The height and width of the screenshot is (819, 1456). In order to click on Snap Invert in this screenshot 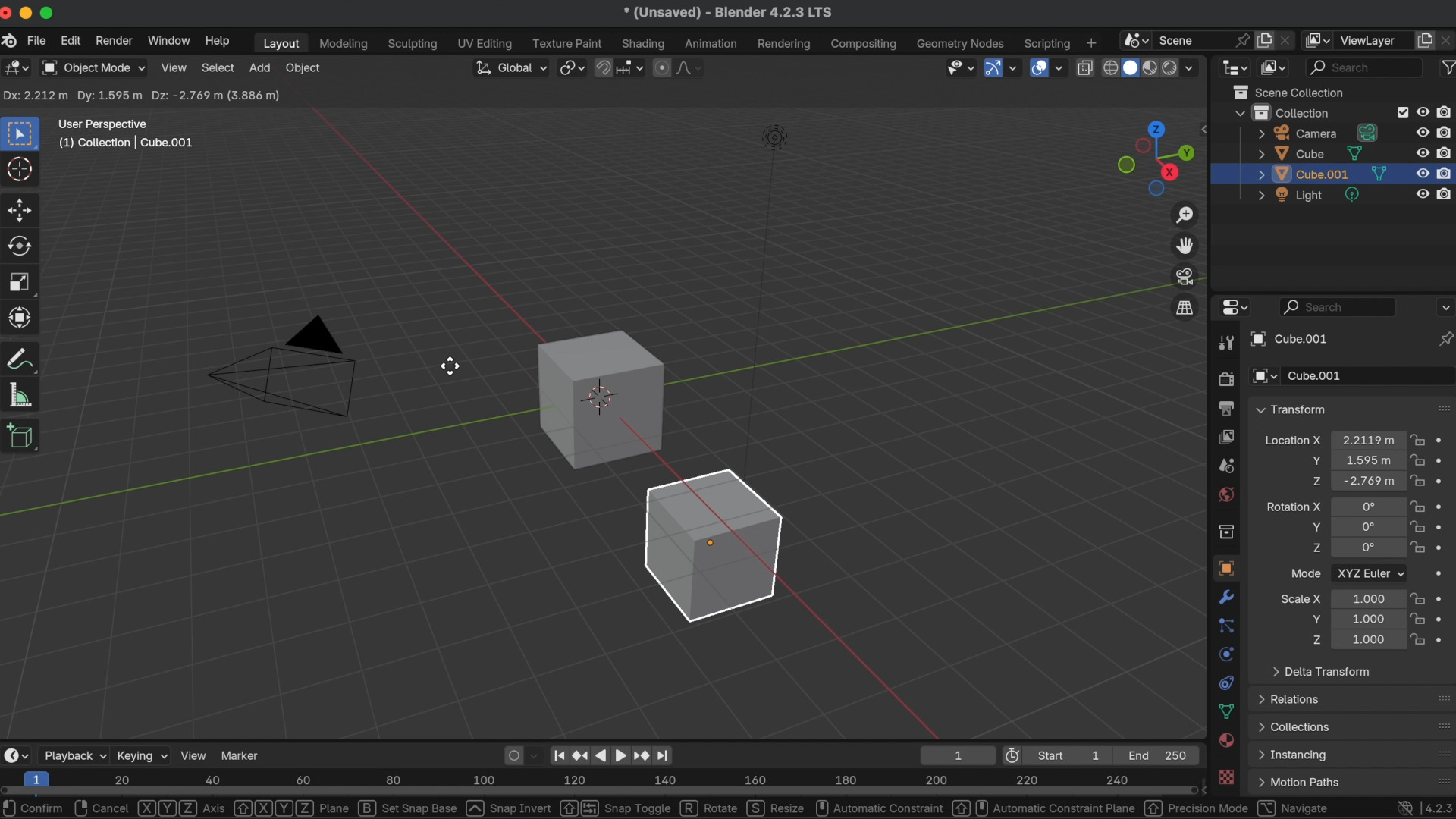, I will do `click(510, 808)`.